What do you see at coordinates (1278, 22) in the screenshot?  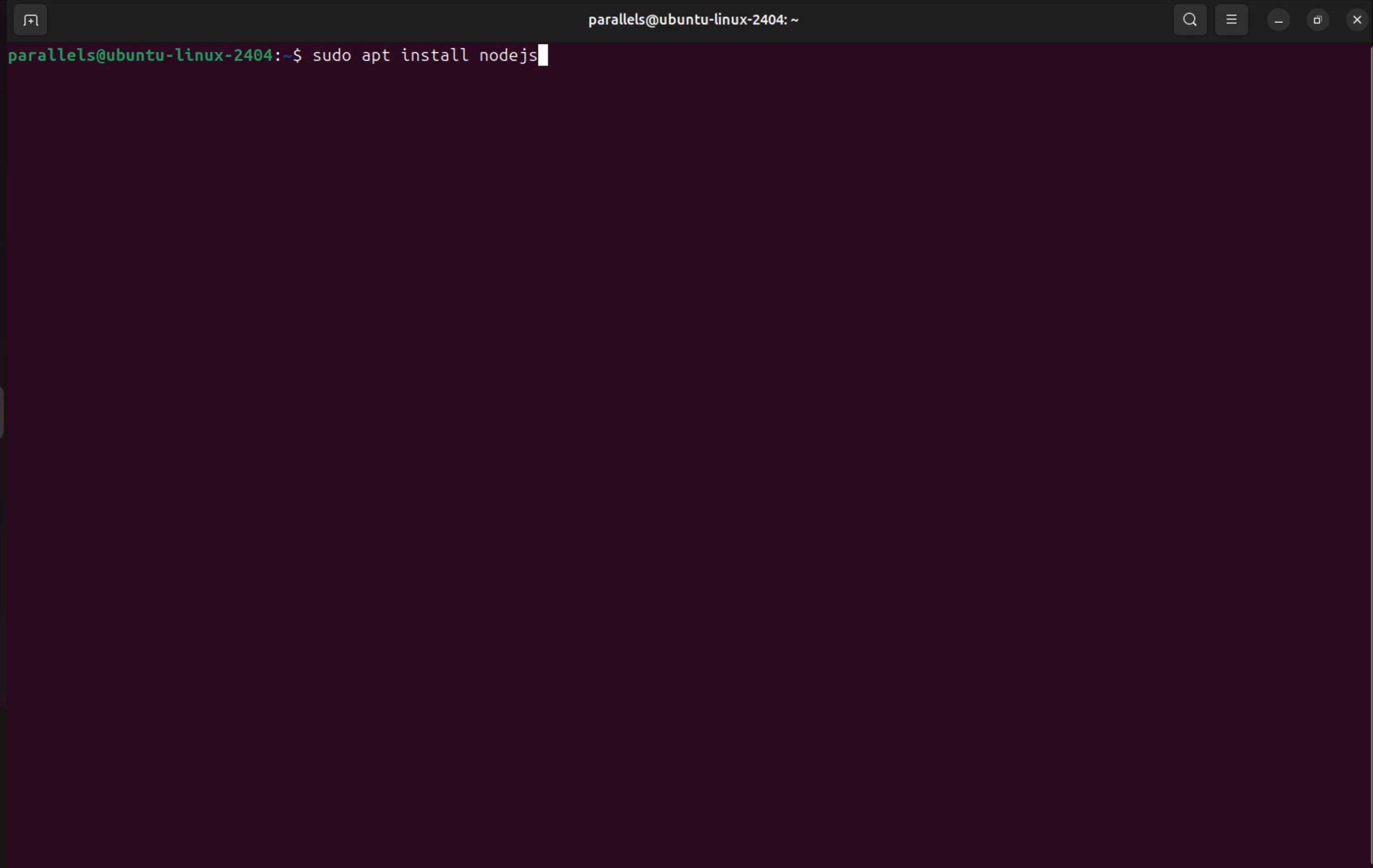 I see `minimize` at bounding box center [1278, 22].